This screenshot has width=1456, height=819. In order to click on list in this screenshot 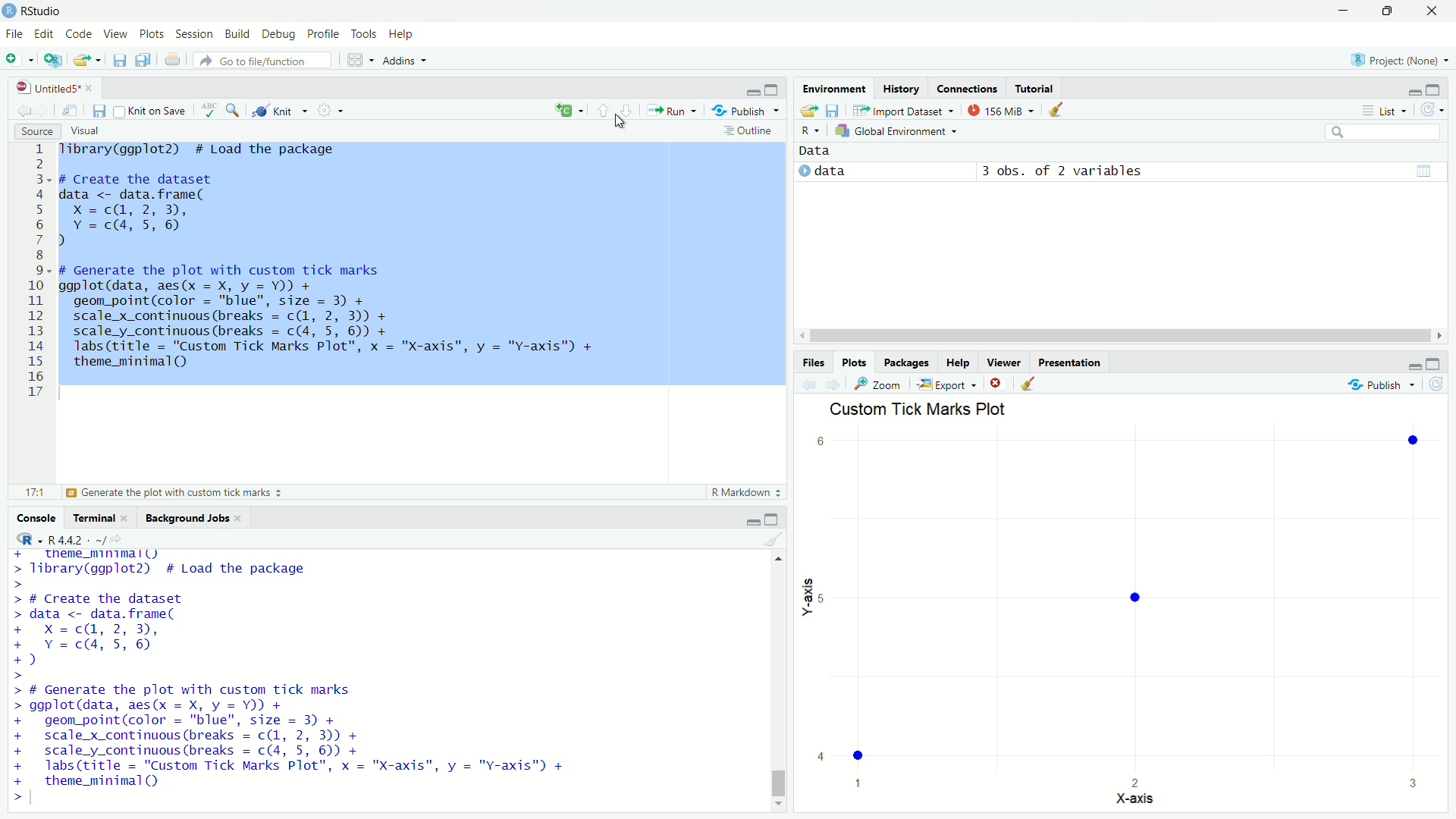, I will do `click(1385, 110)`.